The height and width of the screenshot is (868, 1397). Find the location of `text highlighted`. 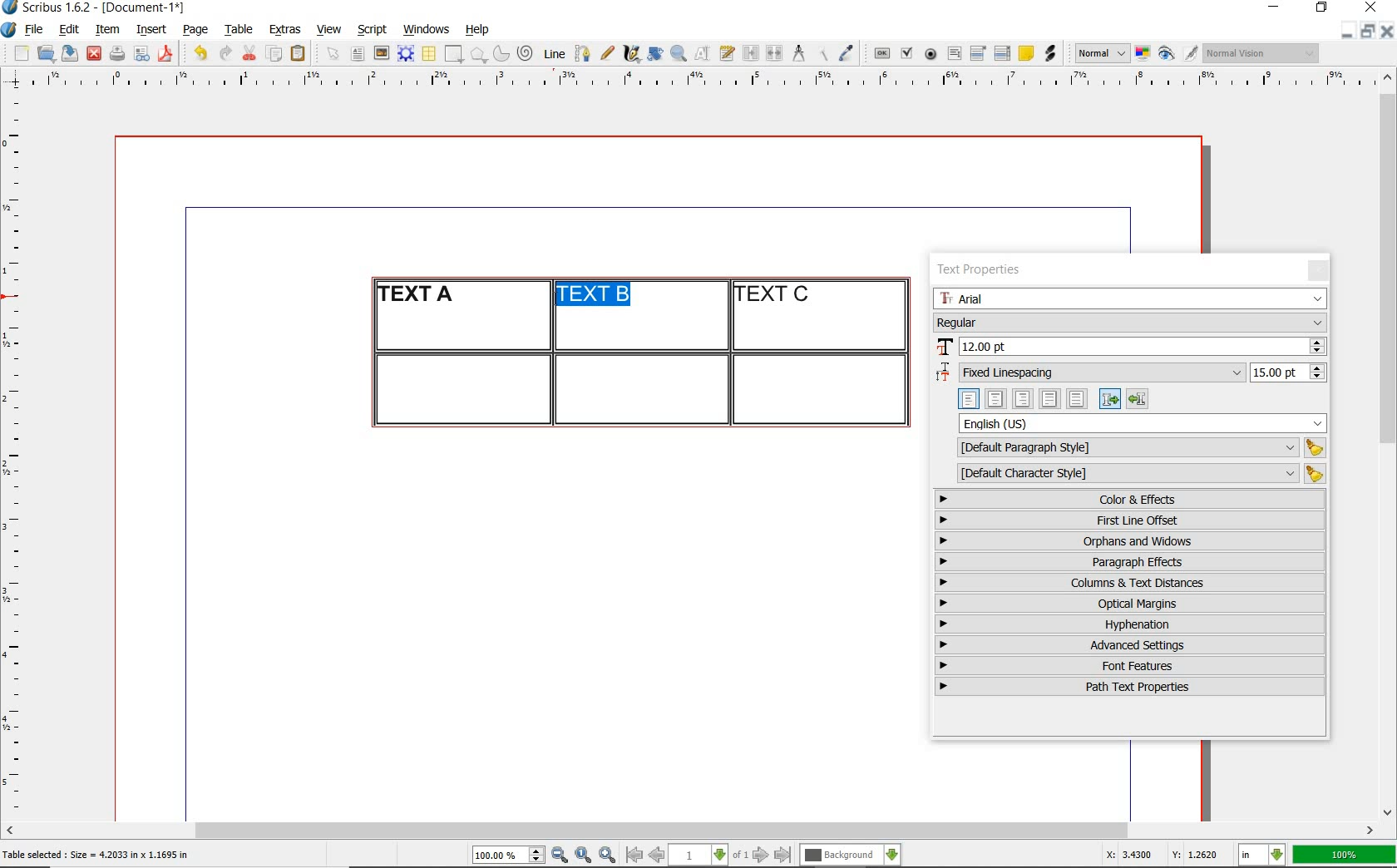

text highlighted is located at coordinates (590, 294).